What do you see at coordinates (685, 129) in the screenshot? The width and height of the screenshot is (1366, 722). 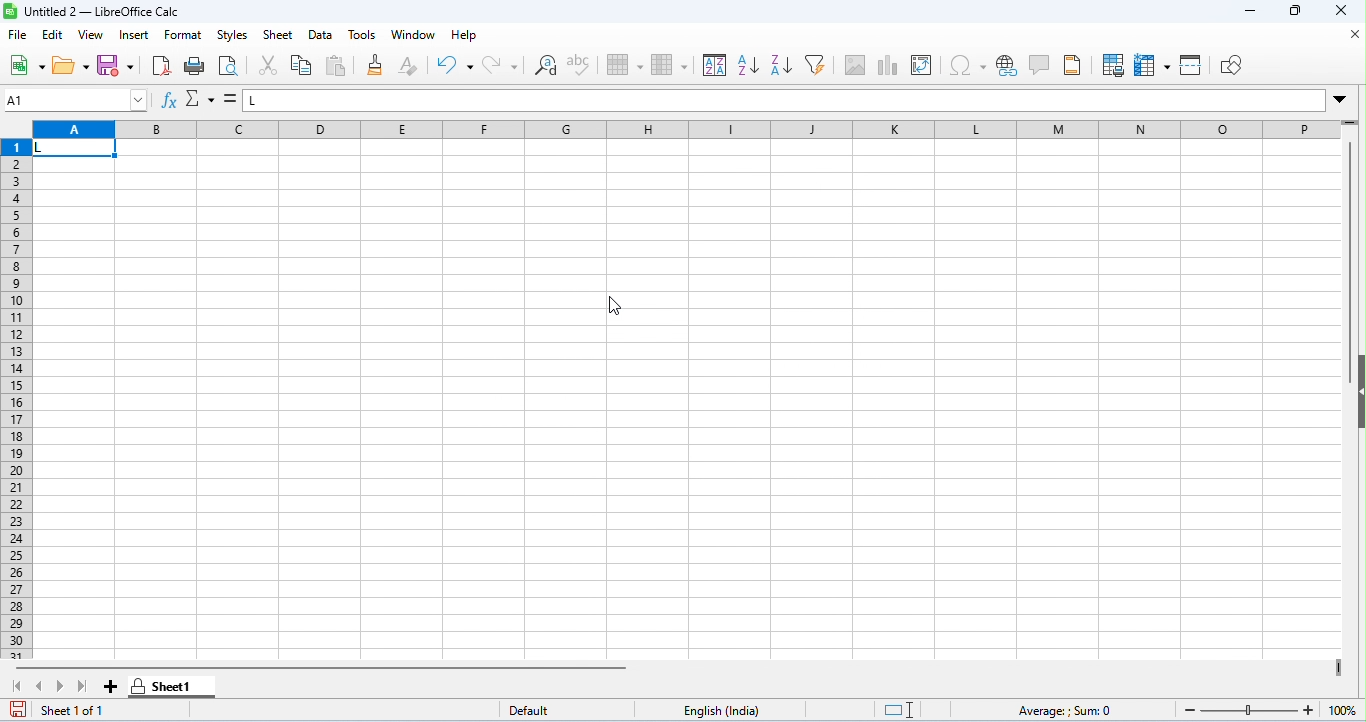 I see `column headings` at bounding box center [685, 129].